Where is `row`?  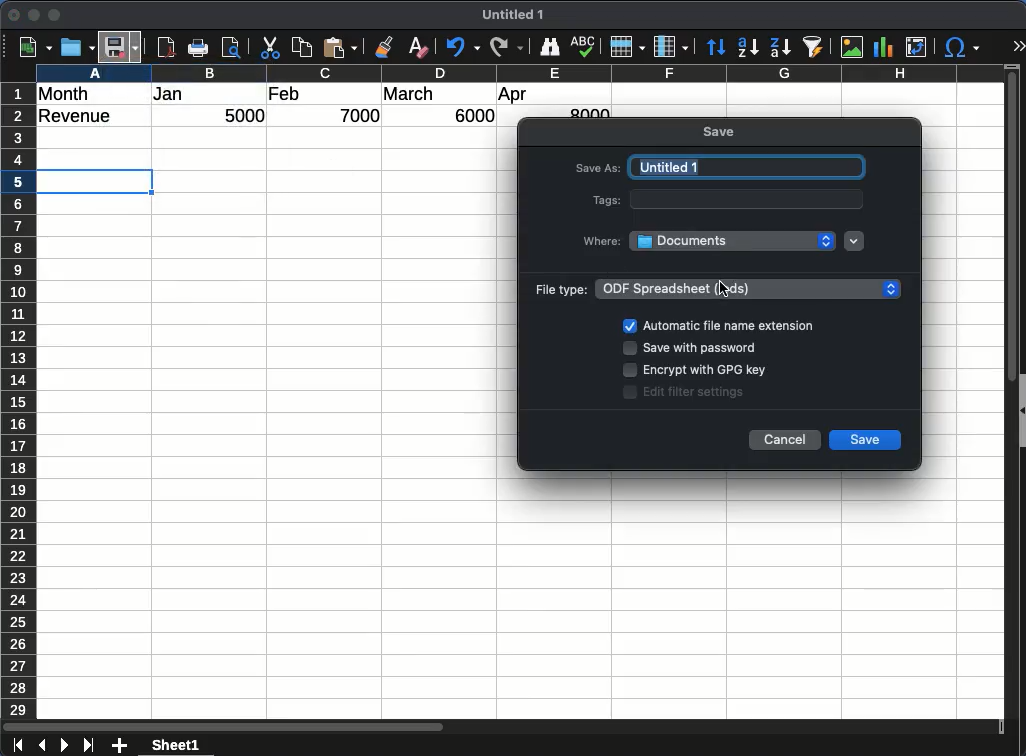 row is located at coordinates (627, 47).